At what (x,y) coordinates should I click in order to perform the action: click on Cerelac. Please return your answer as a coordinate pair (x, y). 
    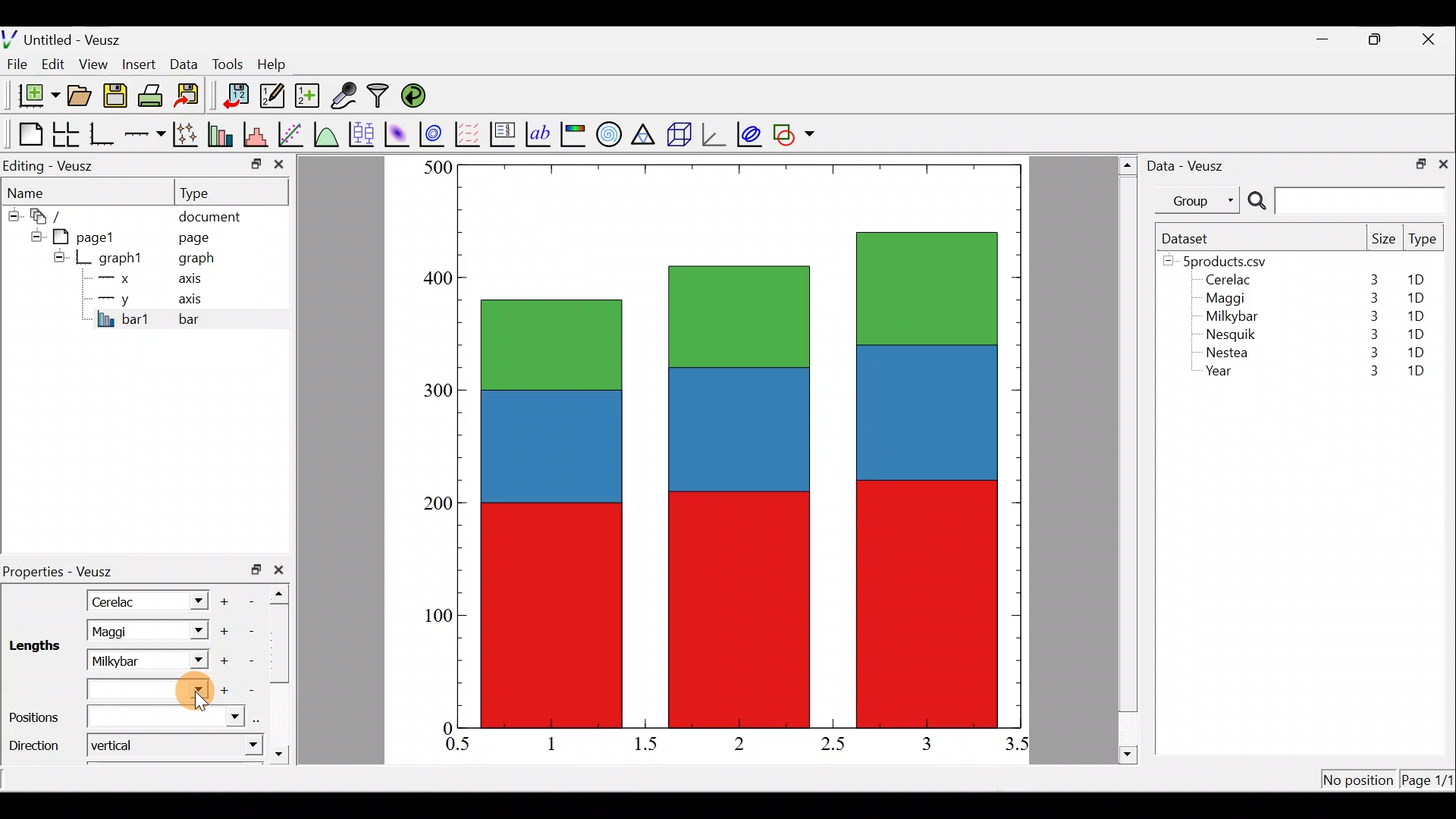
    Looking at the image, I should click on (118, 600).